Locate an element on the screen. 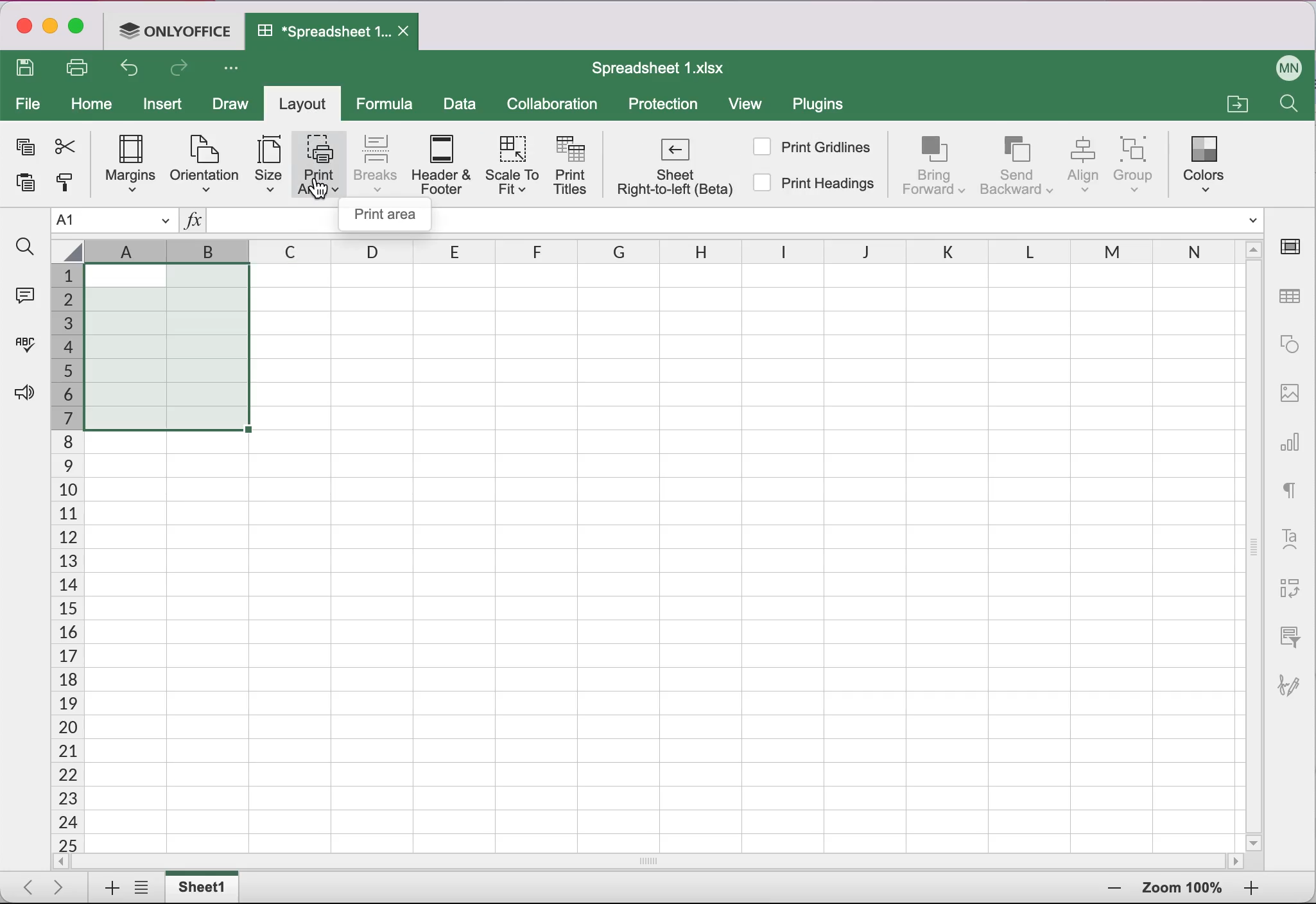 This screenshot has height=904, width=1316. Sheet right-to-left (Beta) is located at coordinates (673, 170).